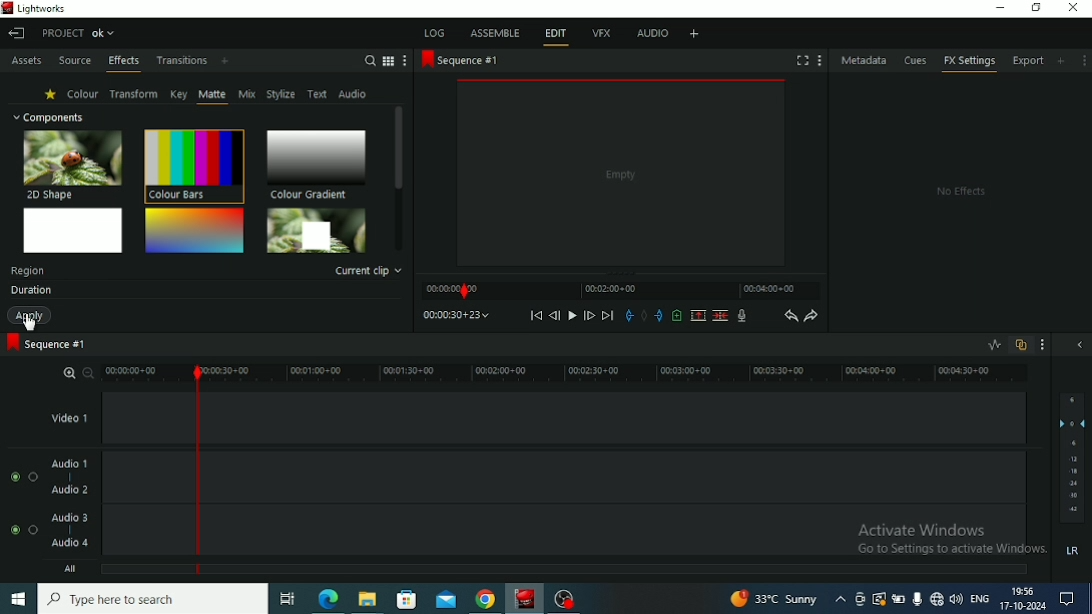 The image size is (1092, 614). Describe the element at coordinates (589, 315) in the screenshot. I see `Nudge one frame next` at that location.